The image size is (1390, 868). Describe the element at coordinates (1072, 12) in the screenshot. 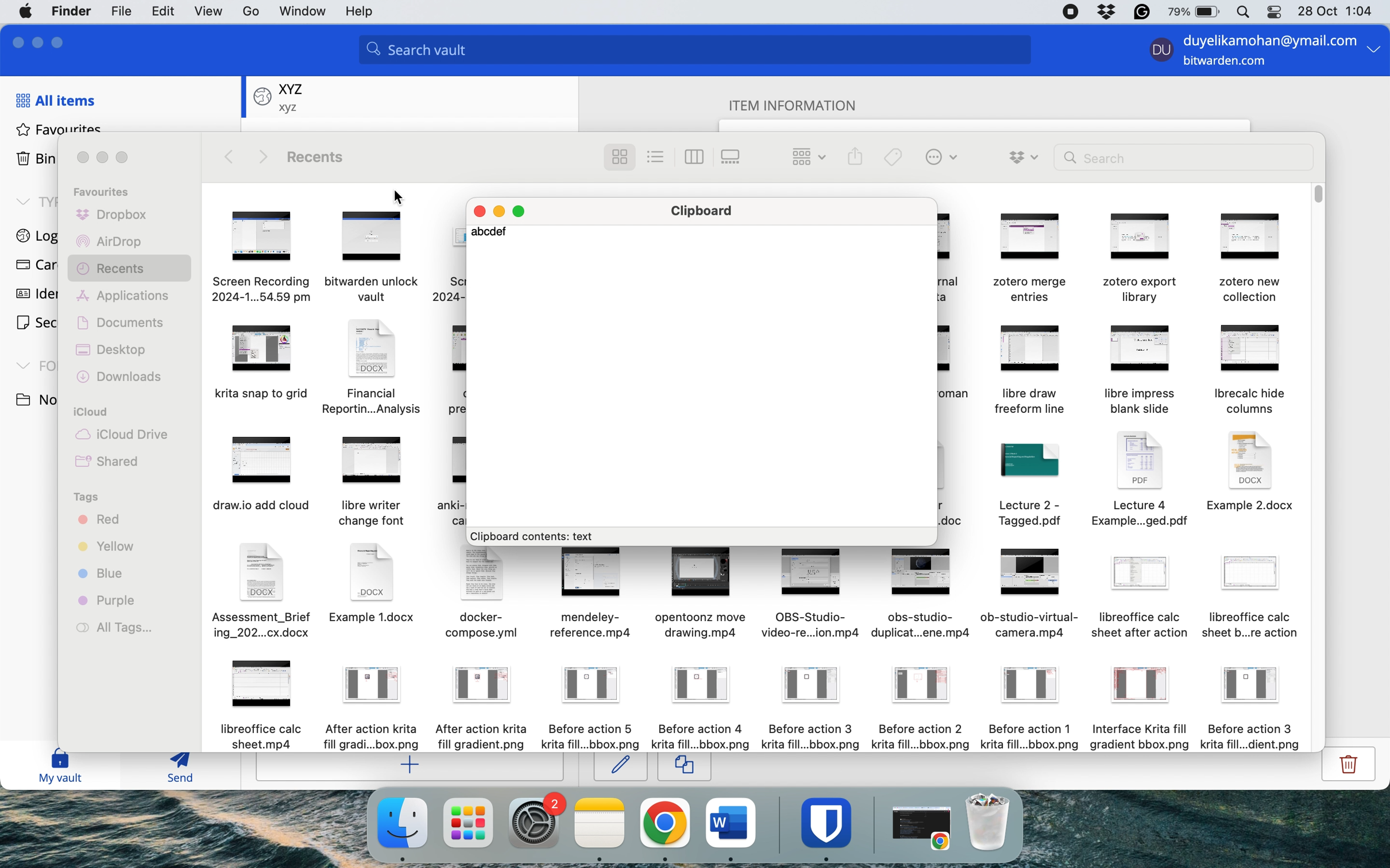

I see `screen recorder` at that location.